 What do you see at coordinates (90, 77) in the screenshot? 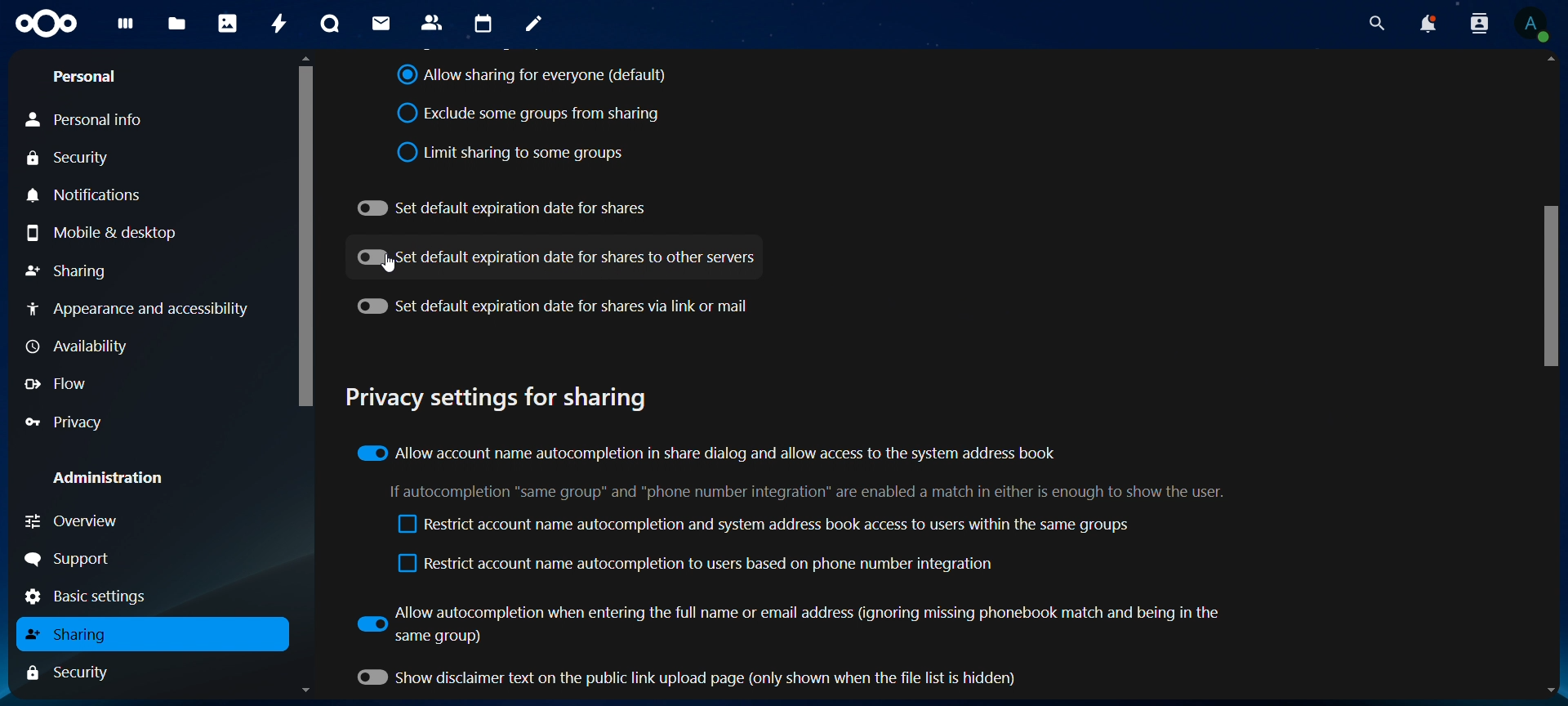
I see `personal` at bounding box center [90, 77].